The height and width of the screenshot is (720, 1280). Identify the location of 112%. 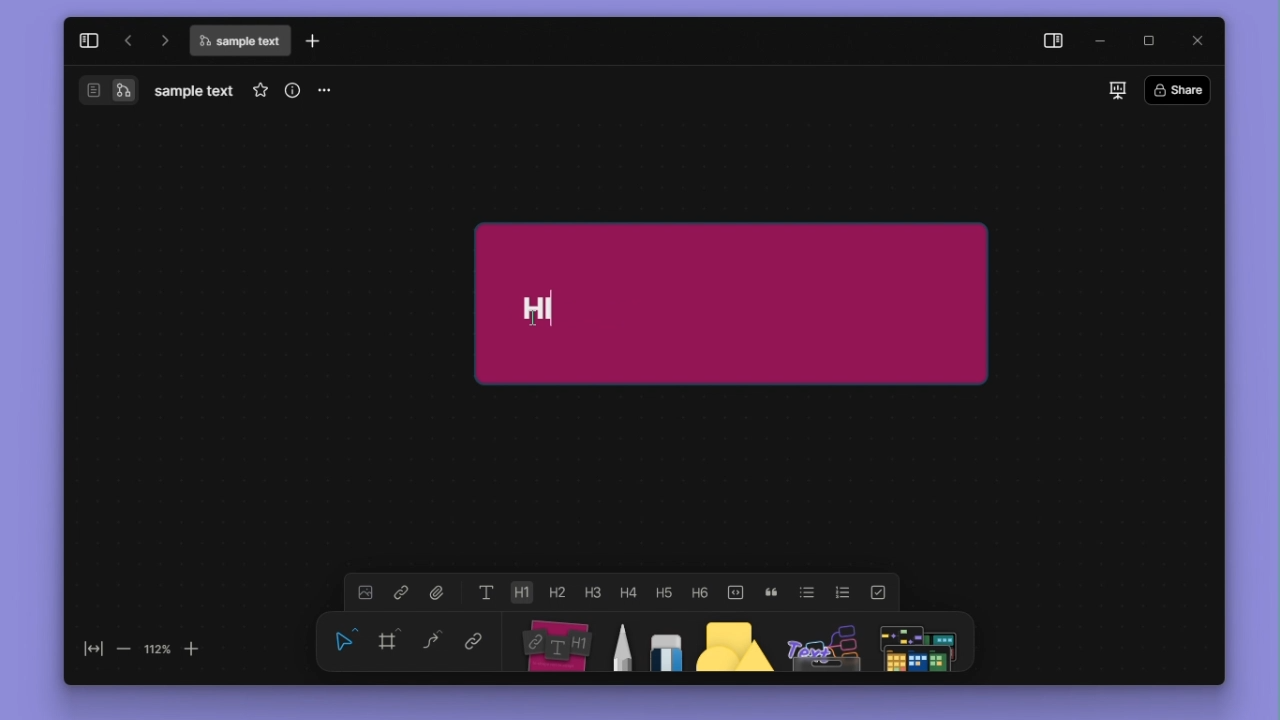
(157, 650).